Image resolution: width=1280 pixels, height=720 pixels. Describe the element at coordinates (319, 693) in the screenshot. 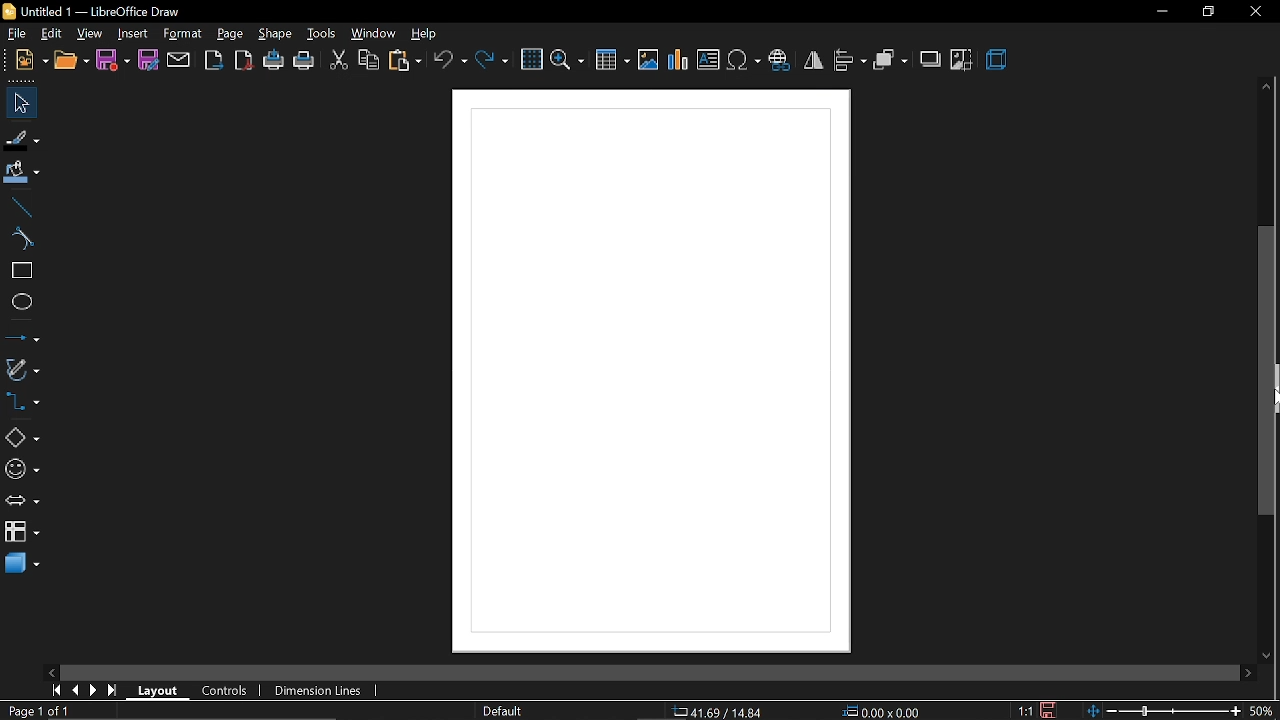

I see `dimension lines` at that location.